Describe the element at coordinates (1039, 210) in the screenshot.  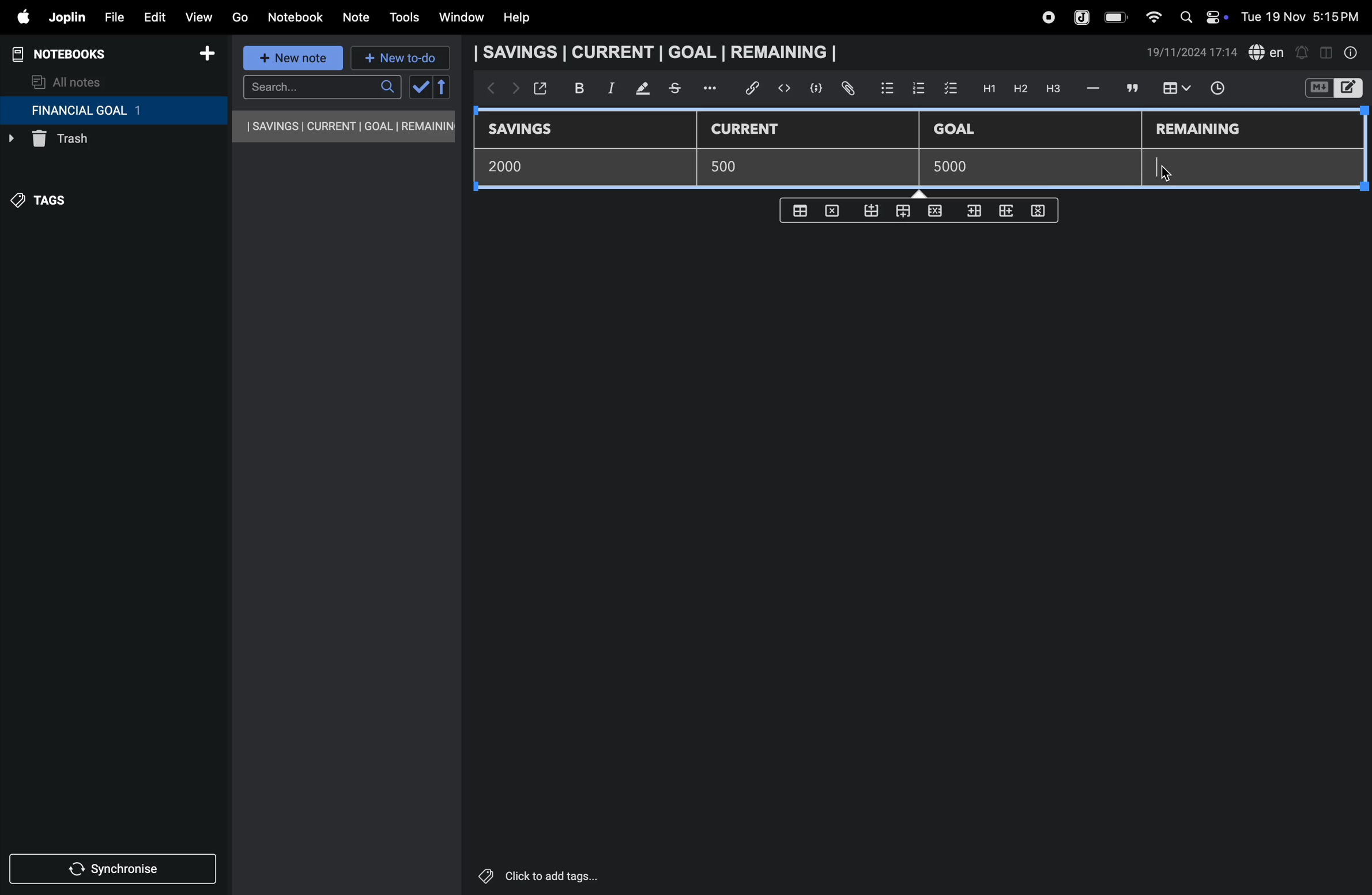
I see `delete rows` at that location.